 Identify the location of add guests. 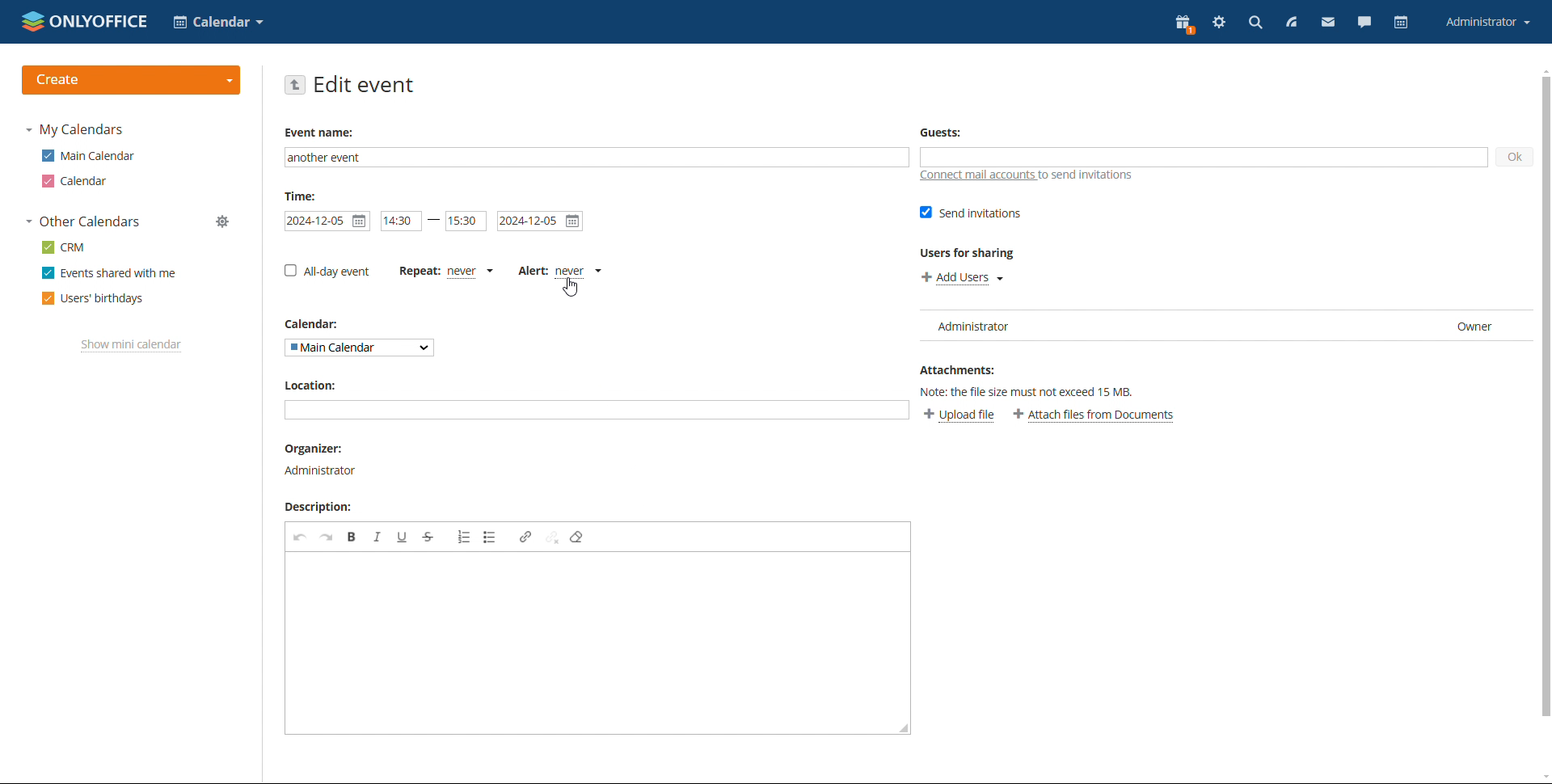
(1204, 157).